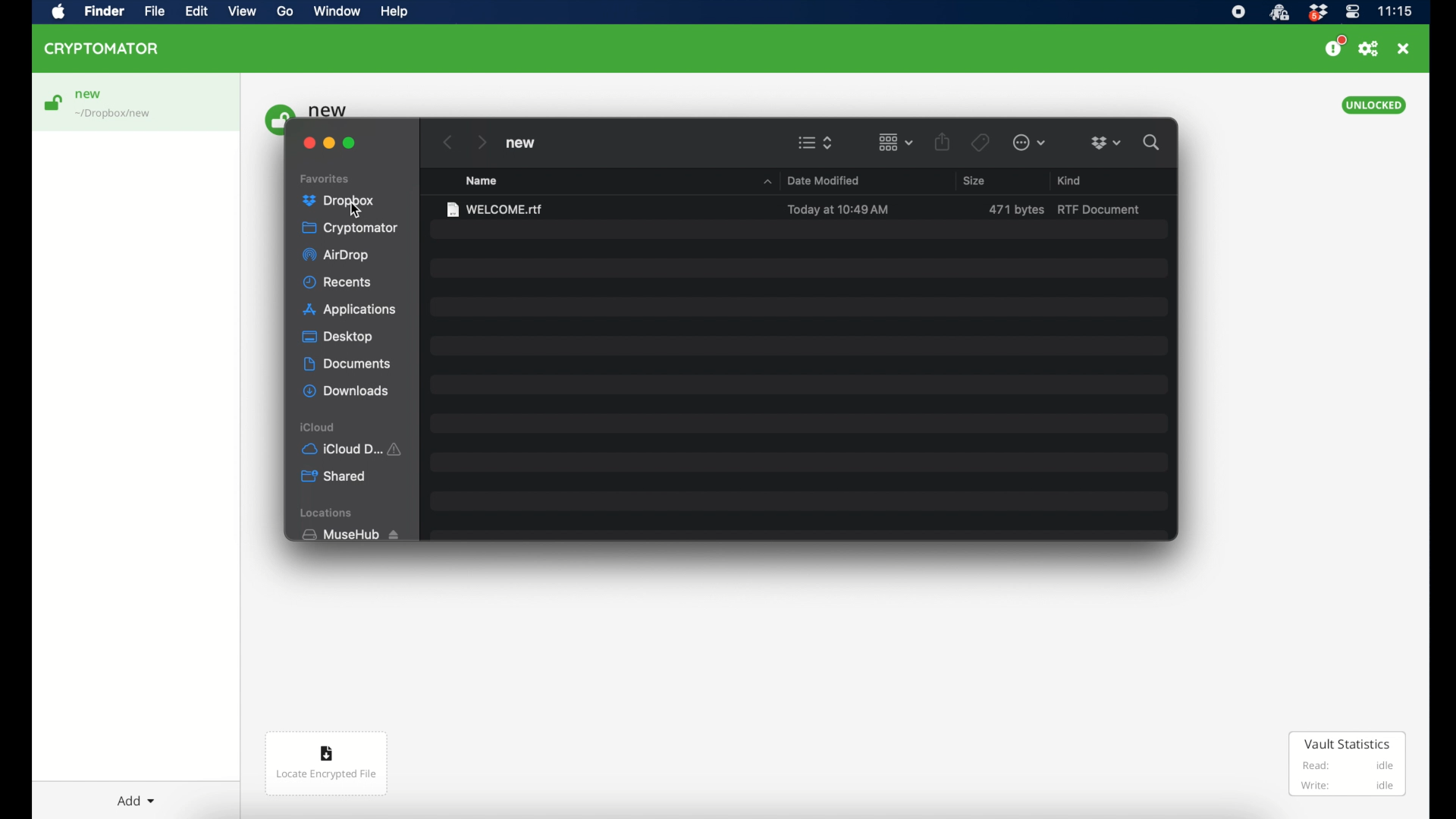 This screenshot has width=1456, height=819. What do you see at coordinates (482, 143) in the screenshot?
I see `next` at bounding box center [482, 143].